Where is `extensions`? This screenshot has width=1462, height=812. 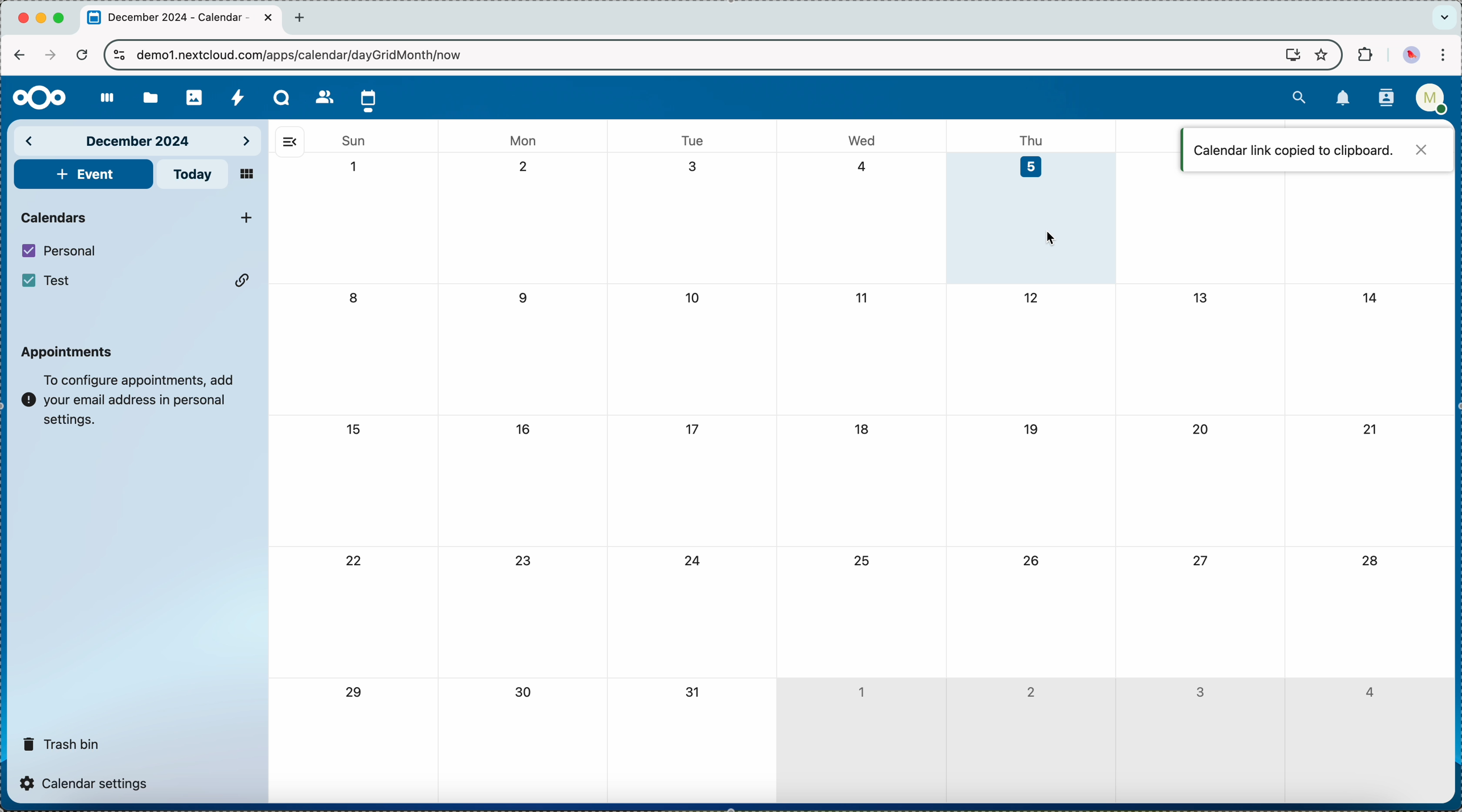 extensions is located at coordinates (1363, 56).